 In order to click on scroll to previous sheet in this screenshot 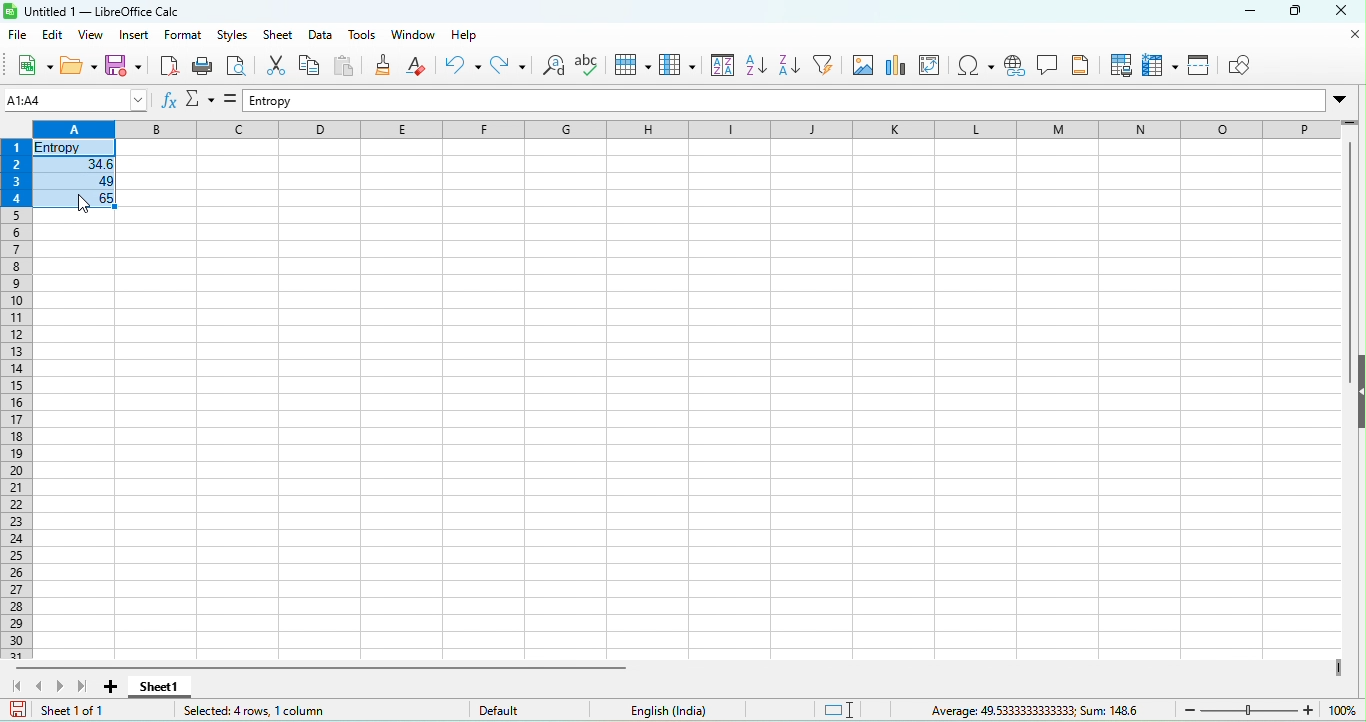, I will do `click(43, 684)`.